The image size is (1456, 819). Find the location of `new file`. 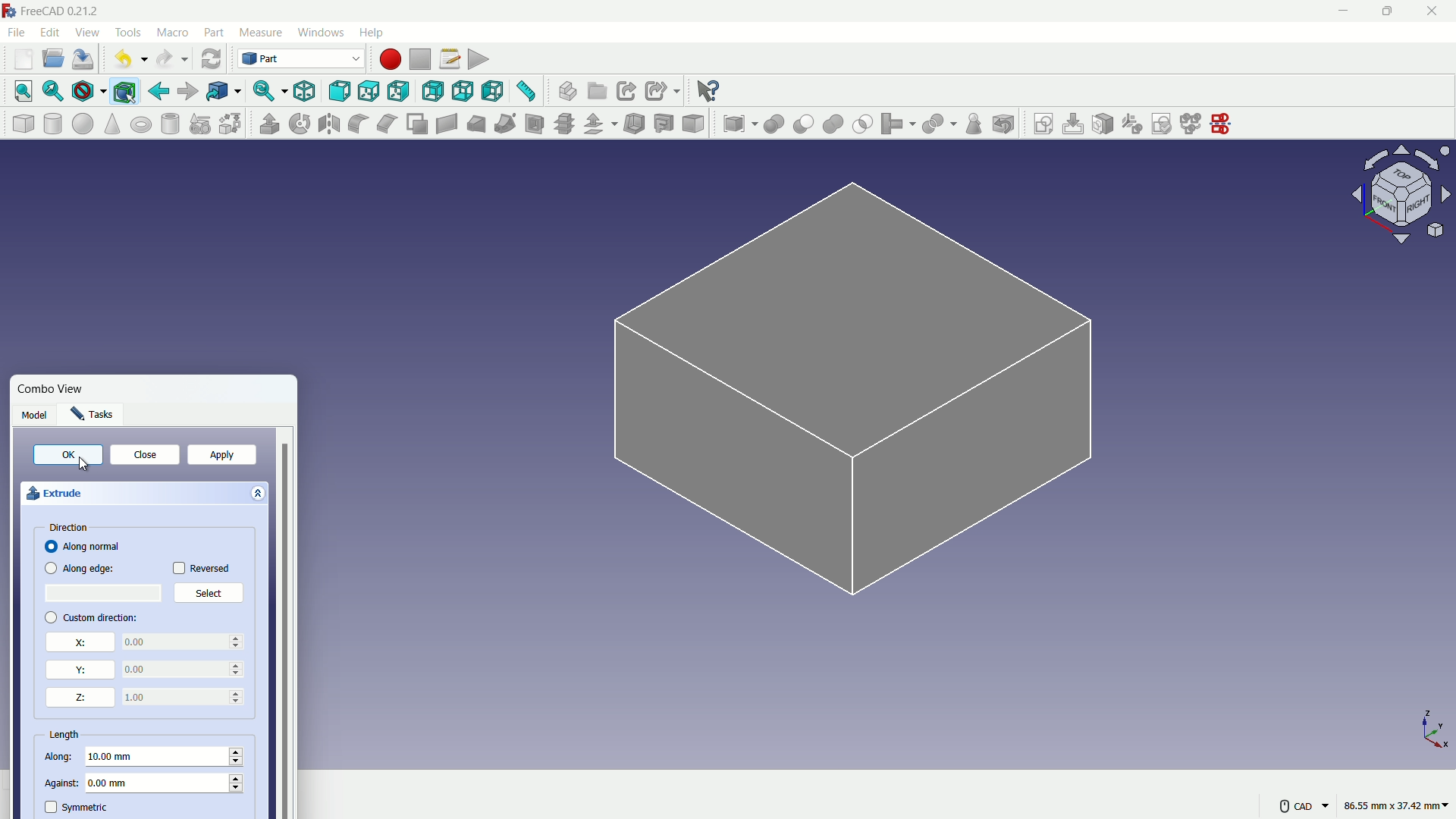

new file is located at coordinates (23, 60).